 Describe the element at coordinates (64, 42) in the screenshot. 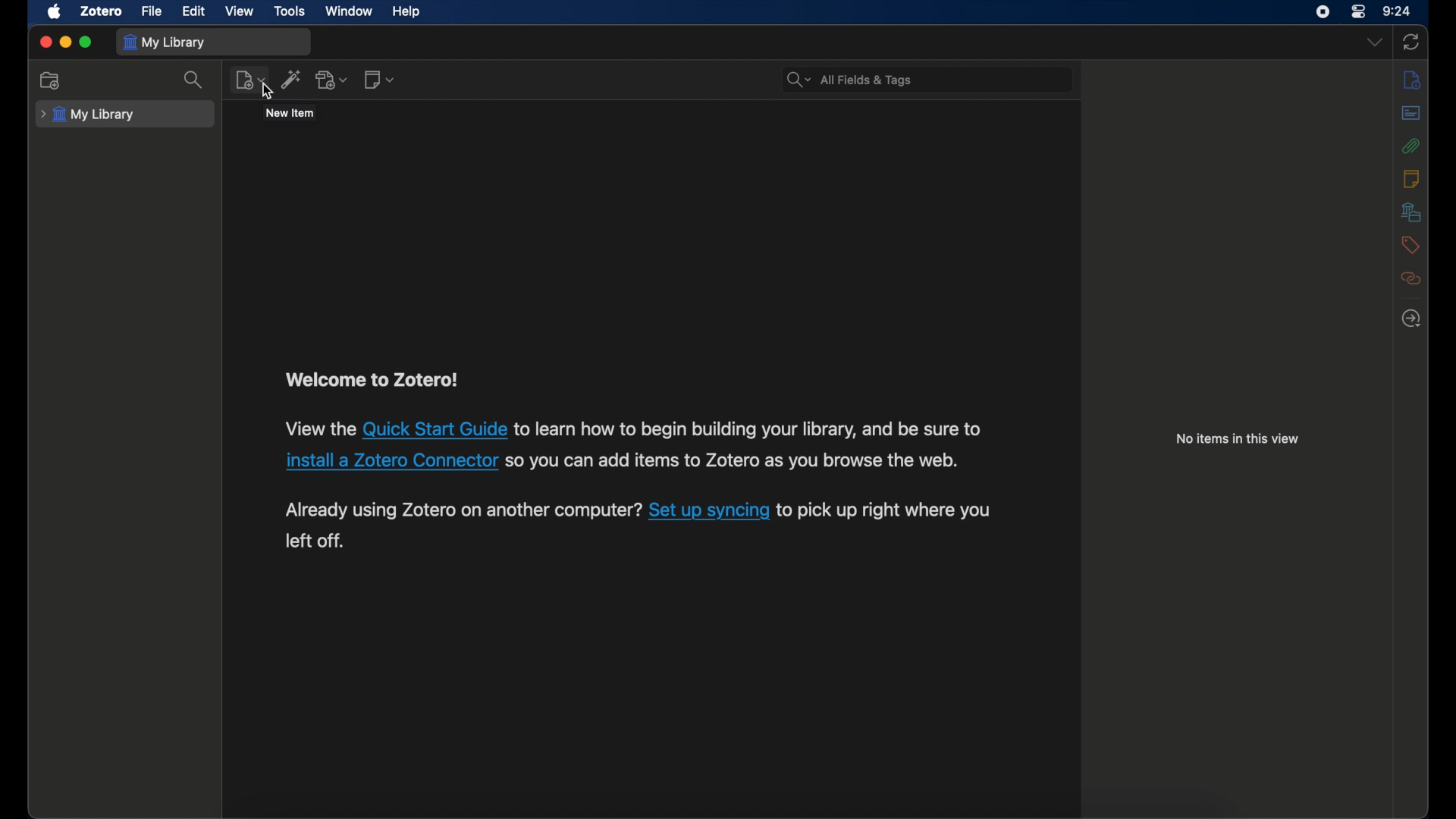

I see `minimize` at that location.